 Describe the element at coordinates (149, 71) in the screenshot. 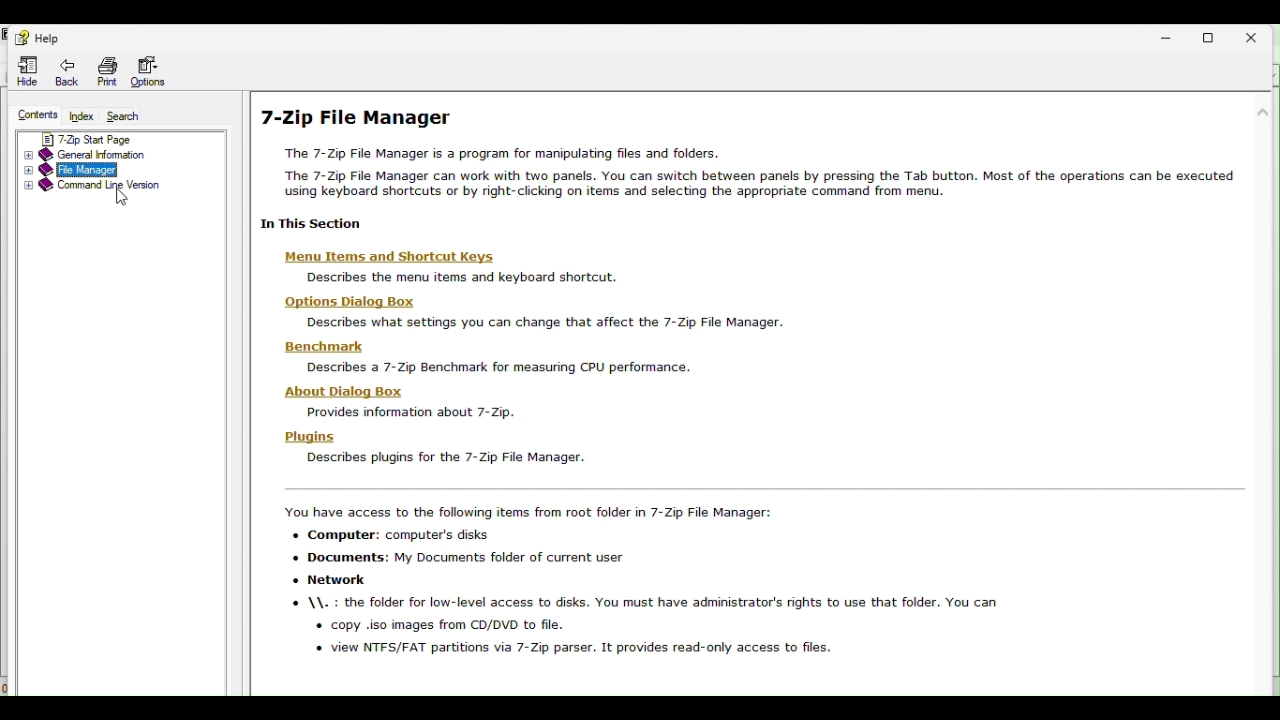

I see `Options` at that location.